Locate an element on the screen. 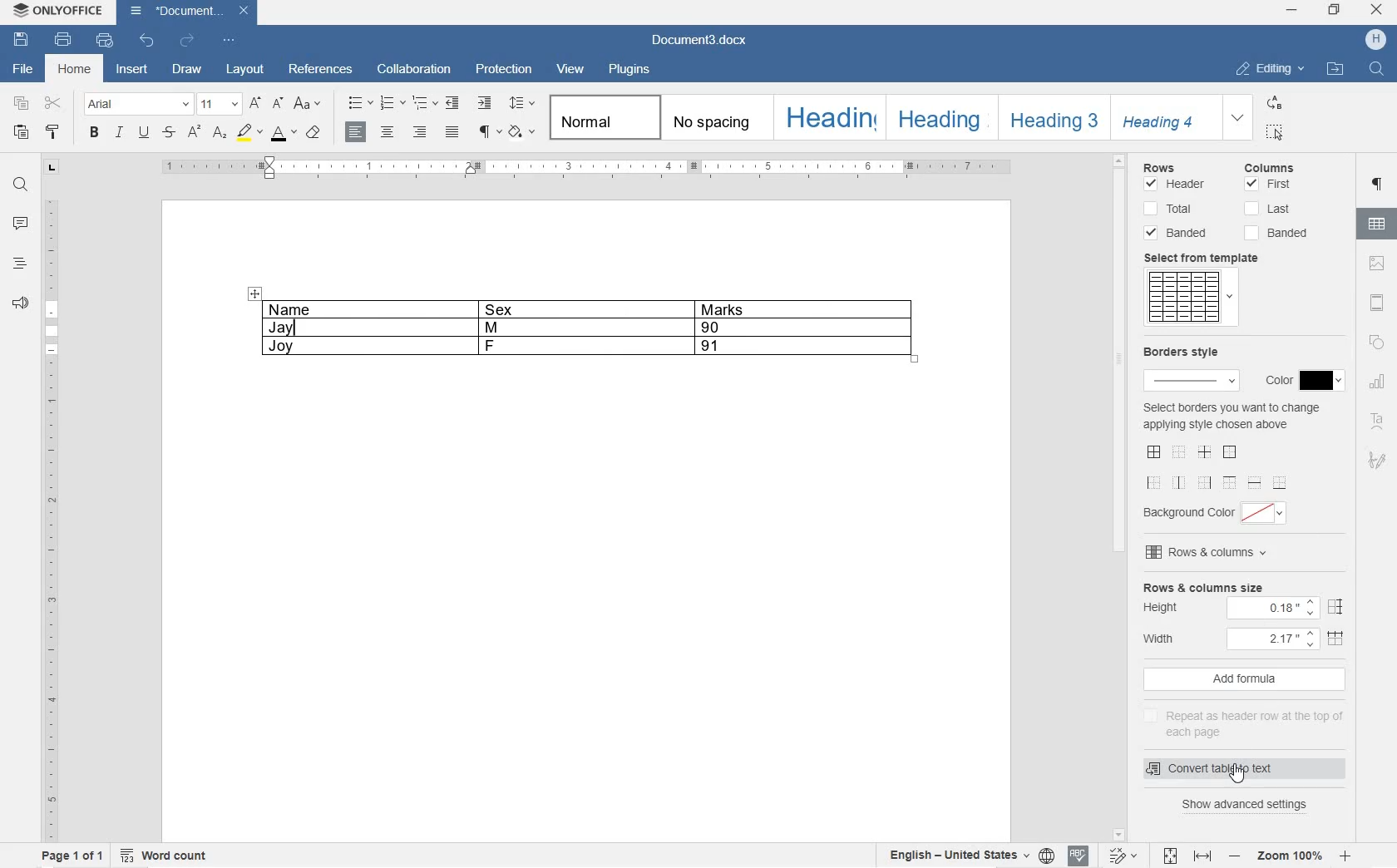  DECREMENT FONT SIZE is located at coordinates (279, 104).